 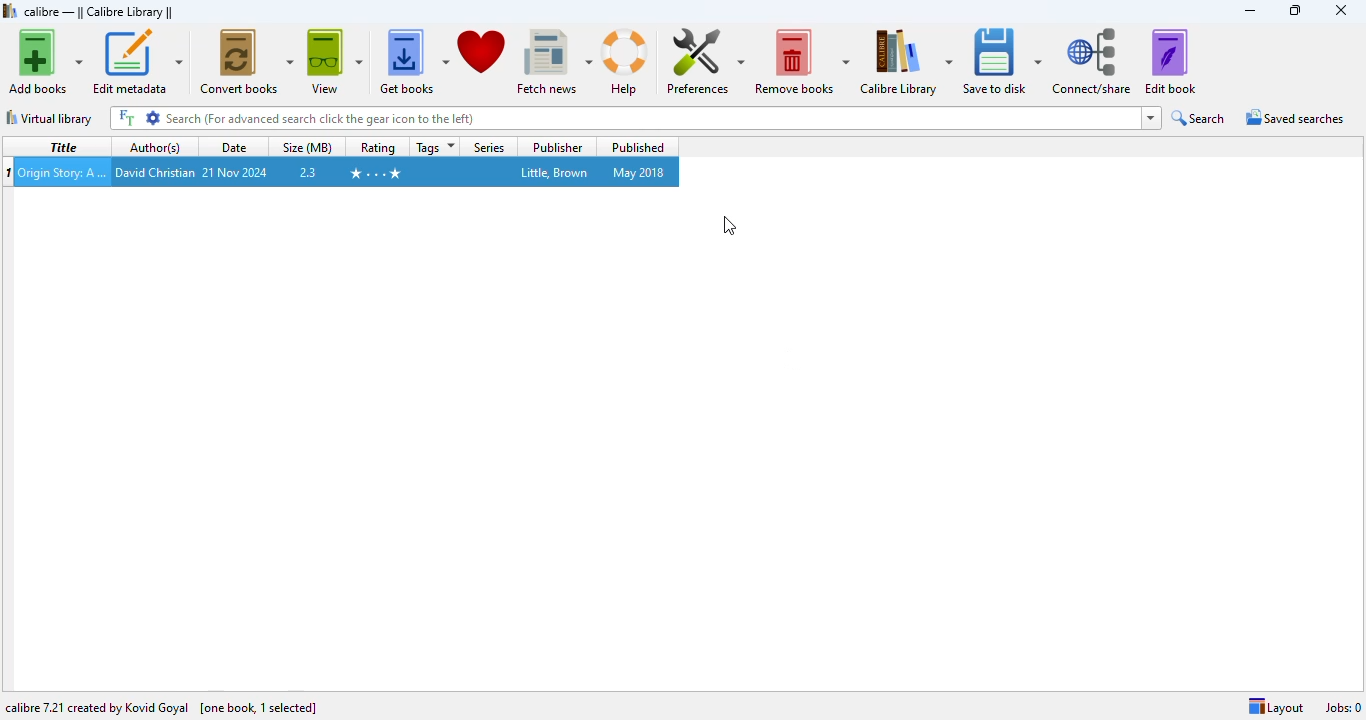 What do you see at coordinates (1341, 9) in the screenshot?
I see `close` at bounding box center [1341, 9].